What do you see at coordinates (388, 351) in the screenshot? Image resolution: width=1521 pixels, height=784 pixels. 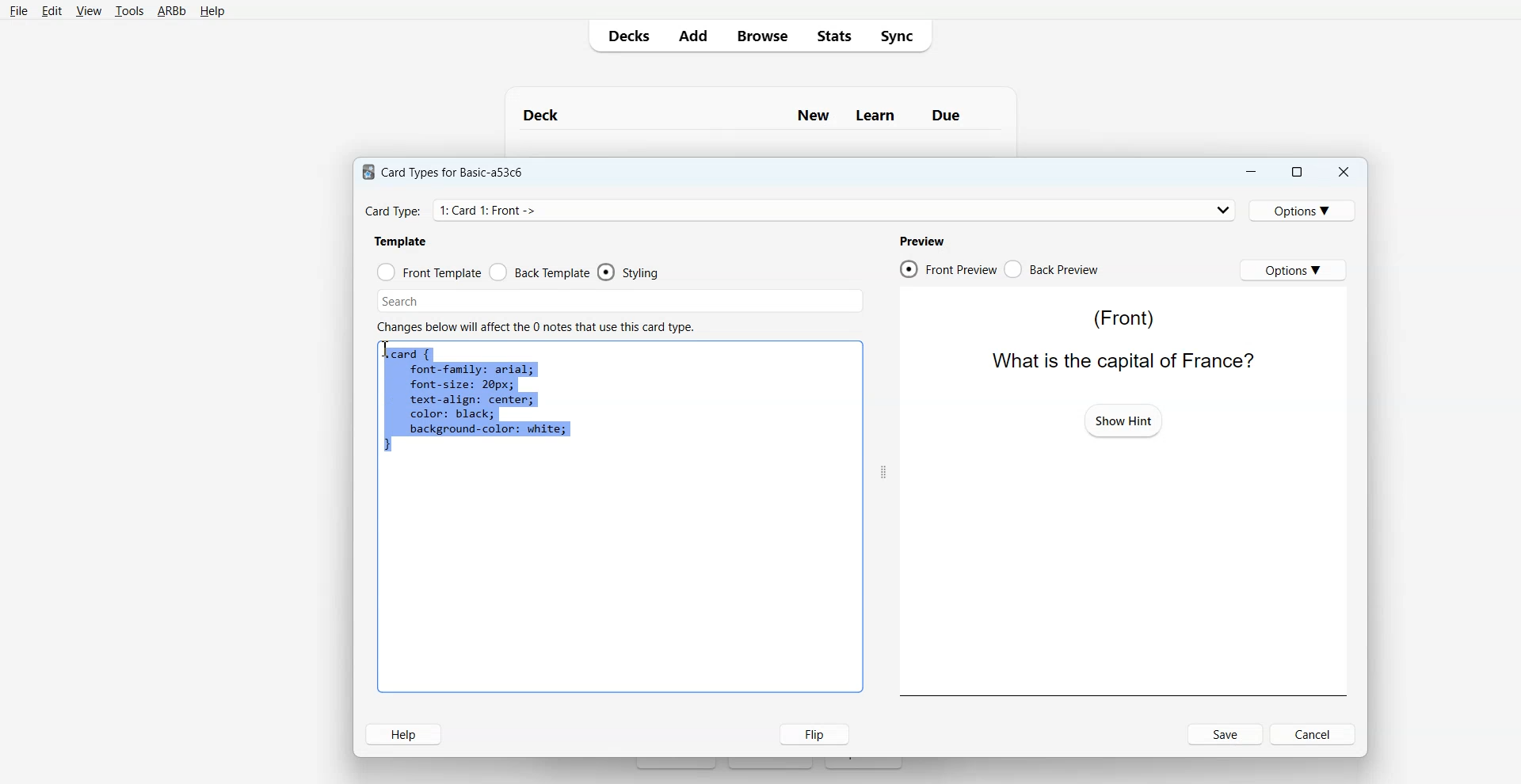 I see `Text Cursor` at bounding box center [388, 351].